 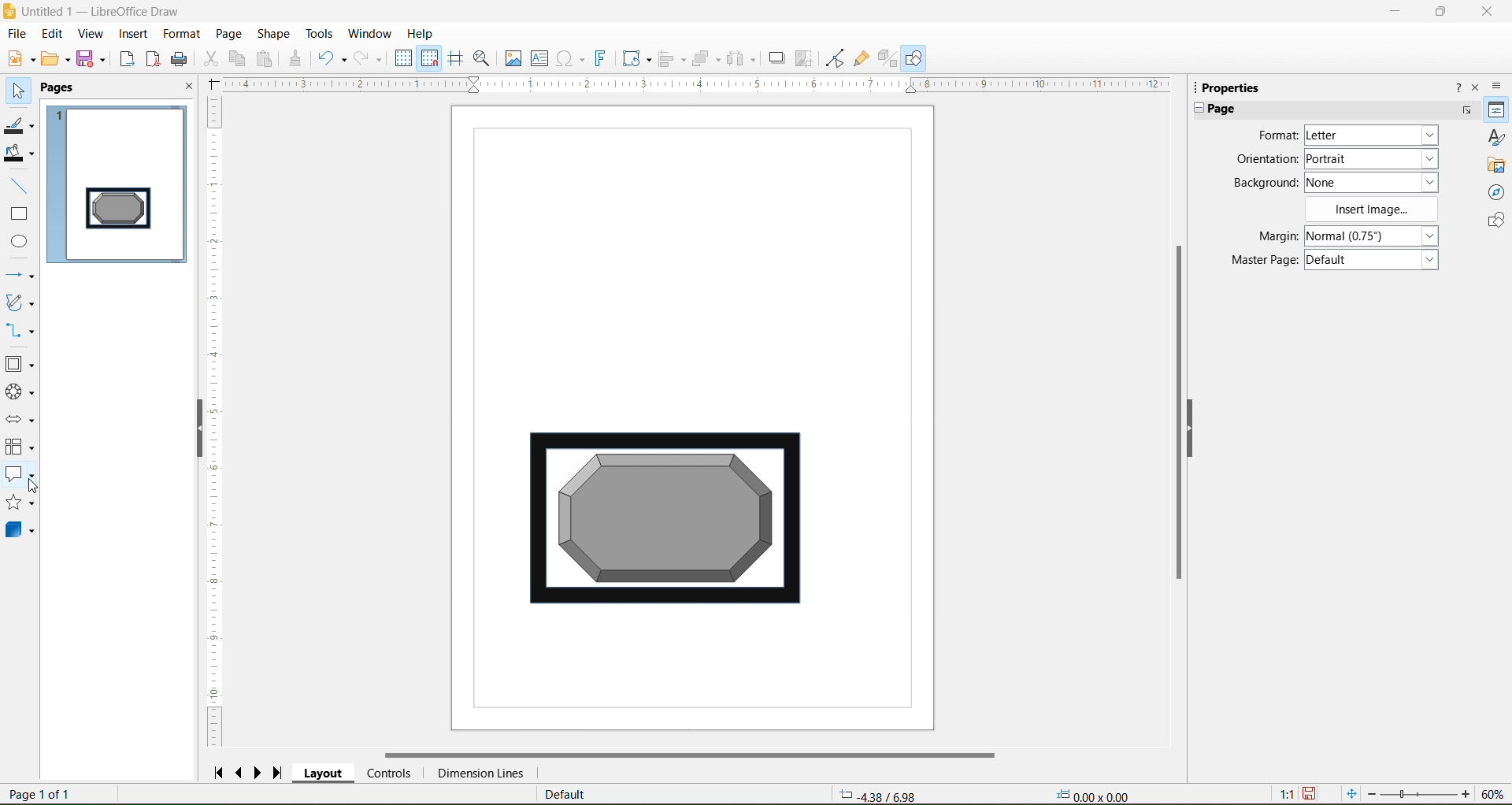 What do you see at coordinates (1396, 10) in the screenshot?
I see `Minimize` at bounding box center [1396, 10].